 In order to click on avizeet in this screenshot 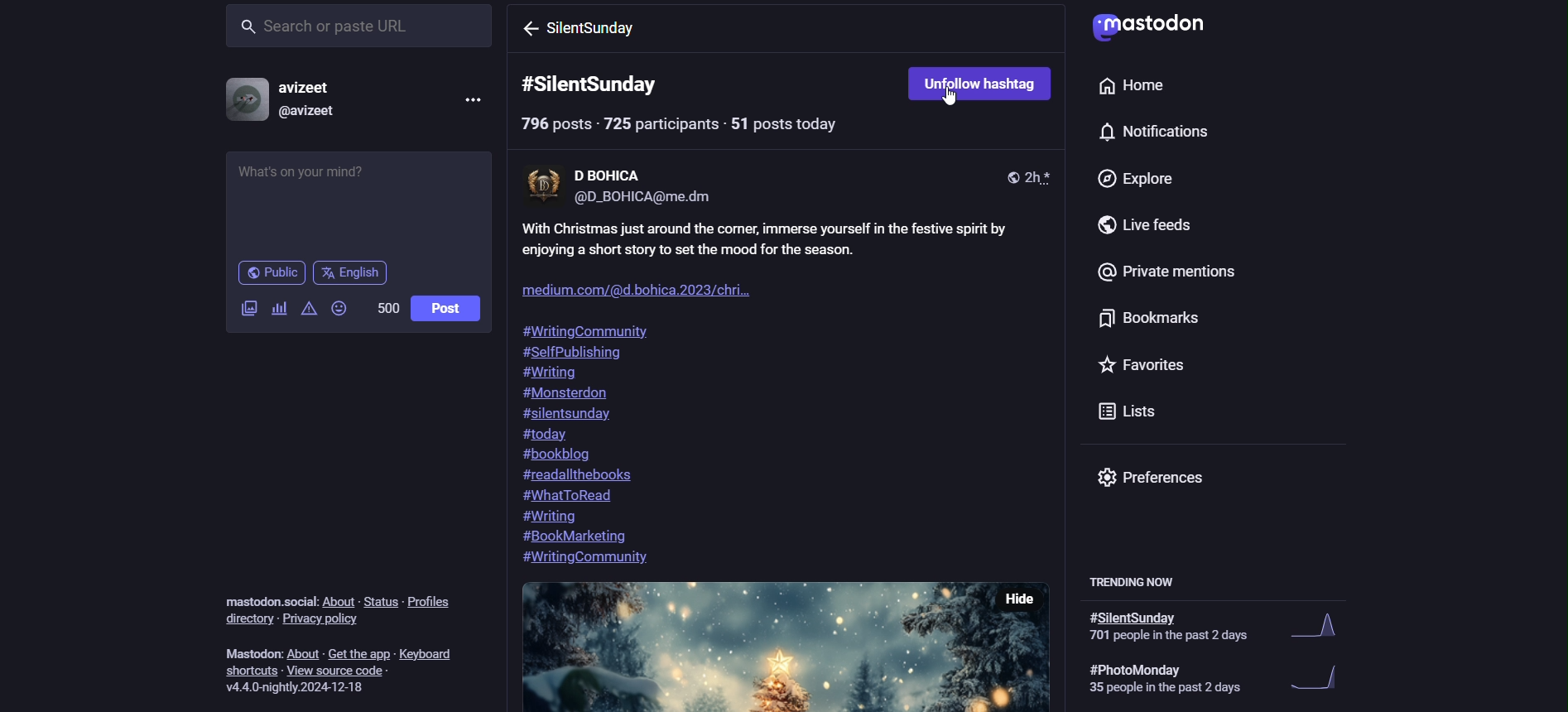, I will do `click(317, 87)`.